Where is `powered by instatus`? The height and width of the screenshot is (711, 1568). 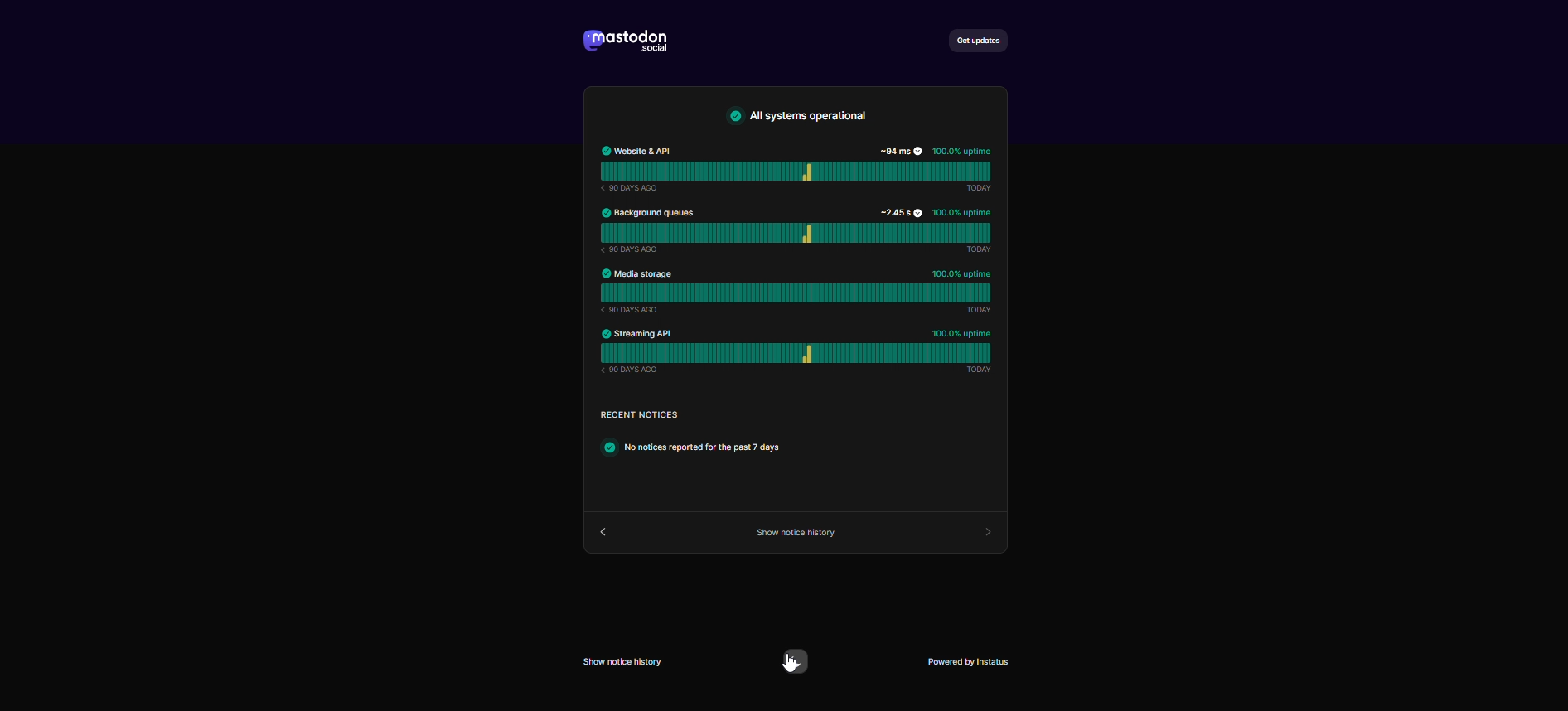
powered by instatus is located at coordinates (975, 661).